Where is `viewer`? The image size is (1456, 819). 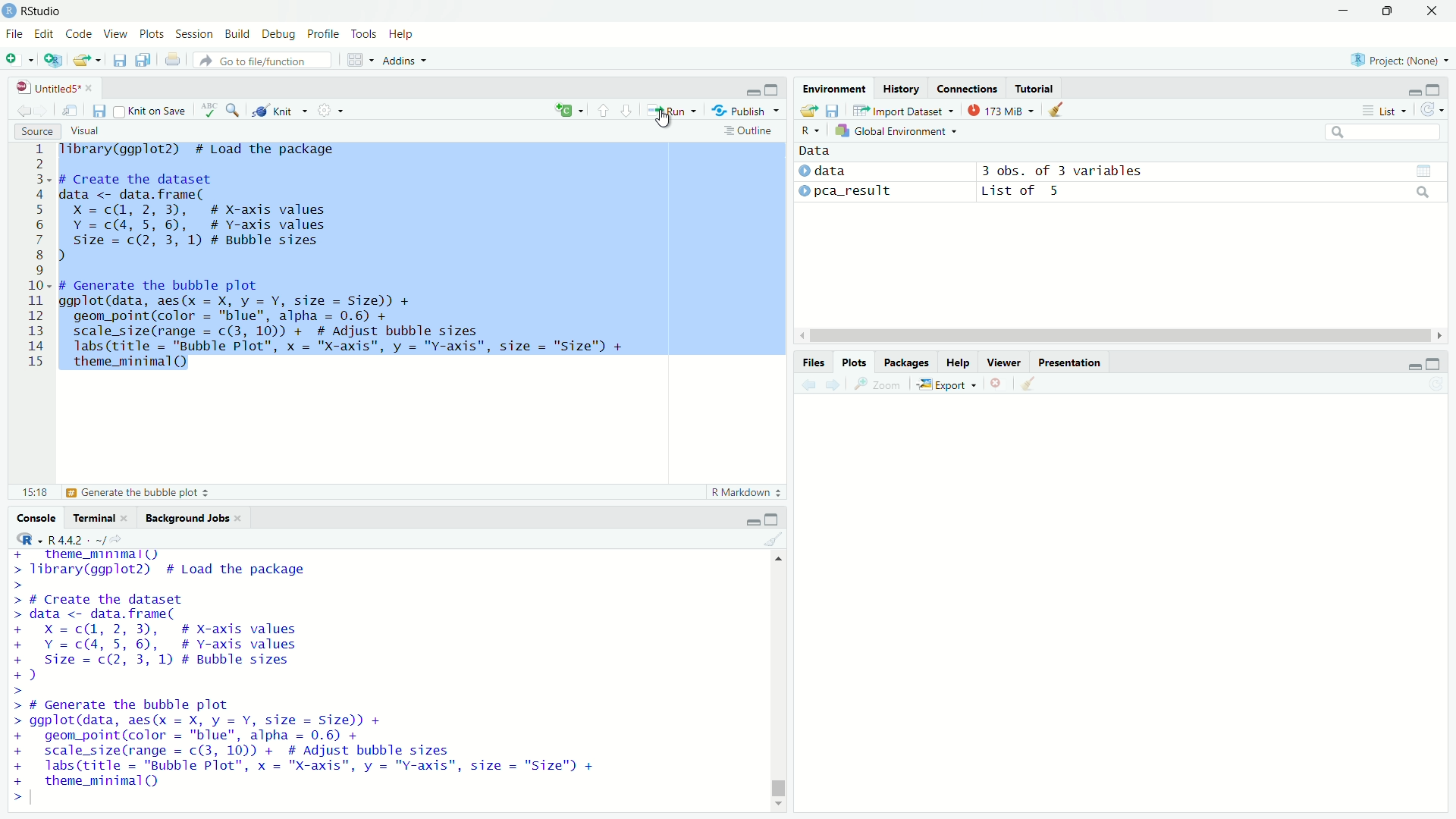 viewer is located at coordinates (1004, 362).